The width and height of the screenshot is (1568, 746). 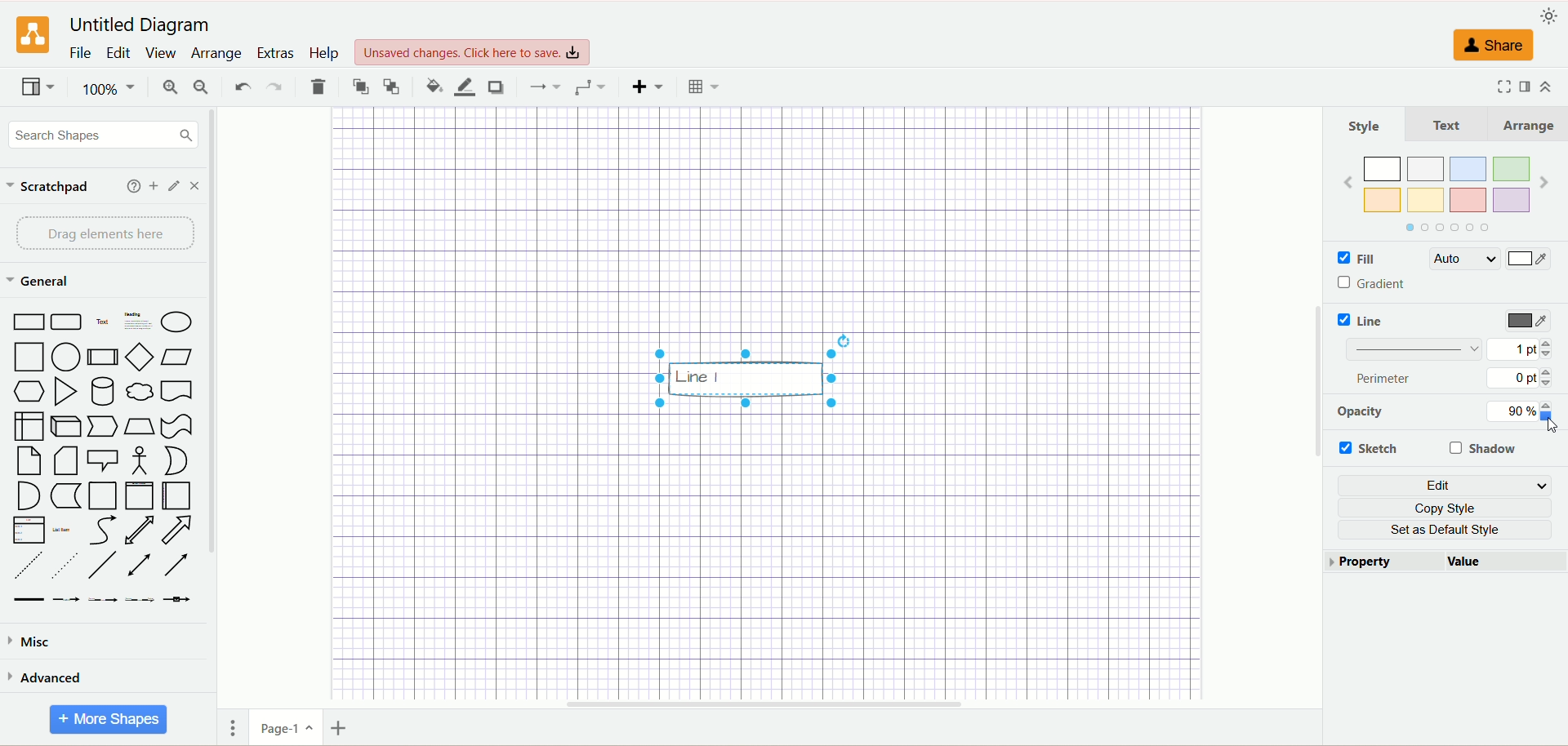 What do you see at coordinates (140, 25) in the screenshot?
I see `United Diagram` at bounding box center [140, 25].